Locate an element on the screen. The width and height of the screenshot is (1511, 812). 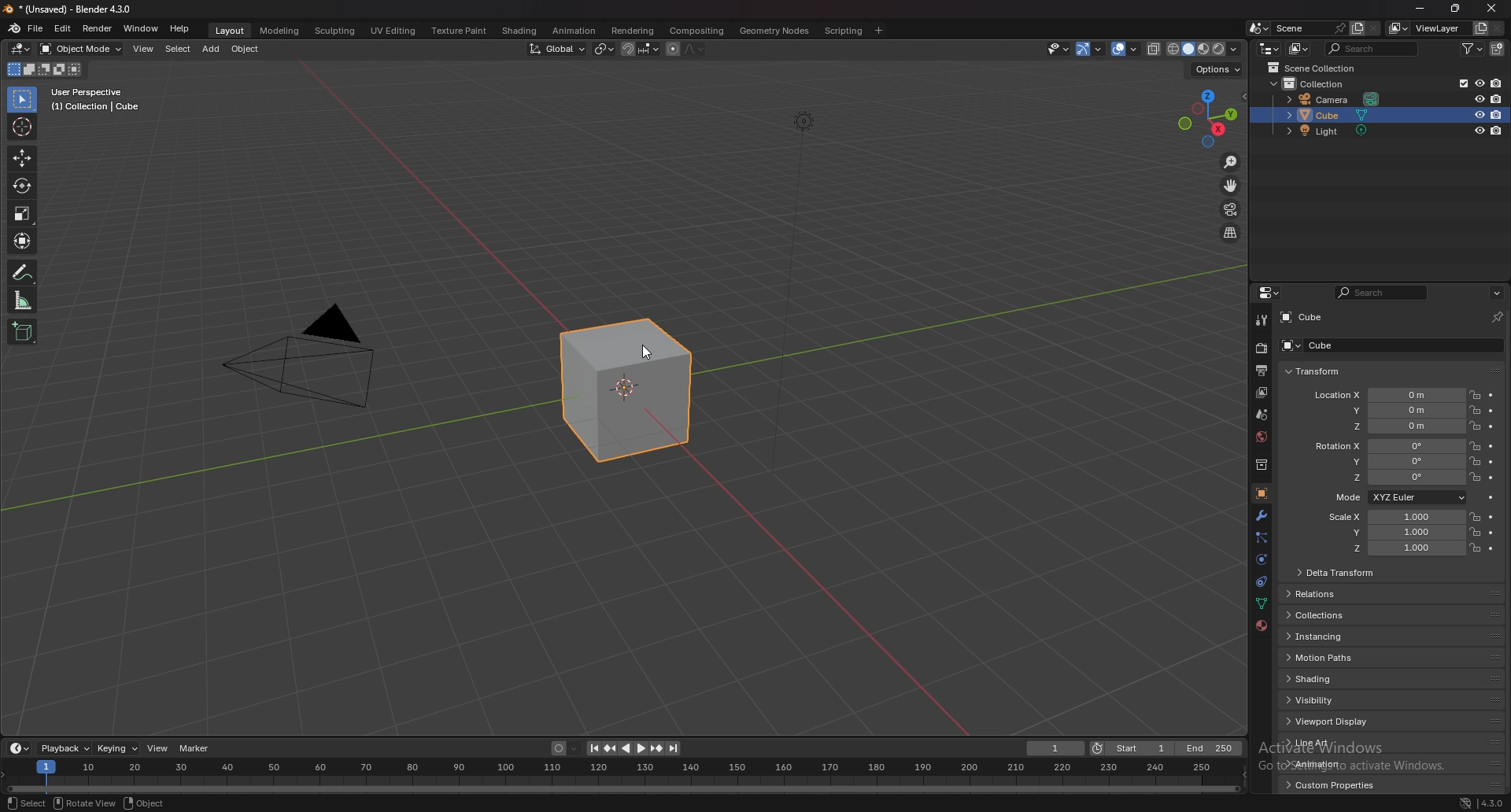
location x is located at coordinates (1388, 396).